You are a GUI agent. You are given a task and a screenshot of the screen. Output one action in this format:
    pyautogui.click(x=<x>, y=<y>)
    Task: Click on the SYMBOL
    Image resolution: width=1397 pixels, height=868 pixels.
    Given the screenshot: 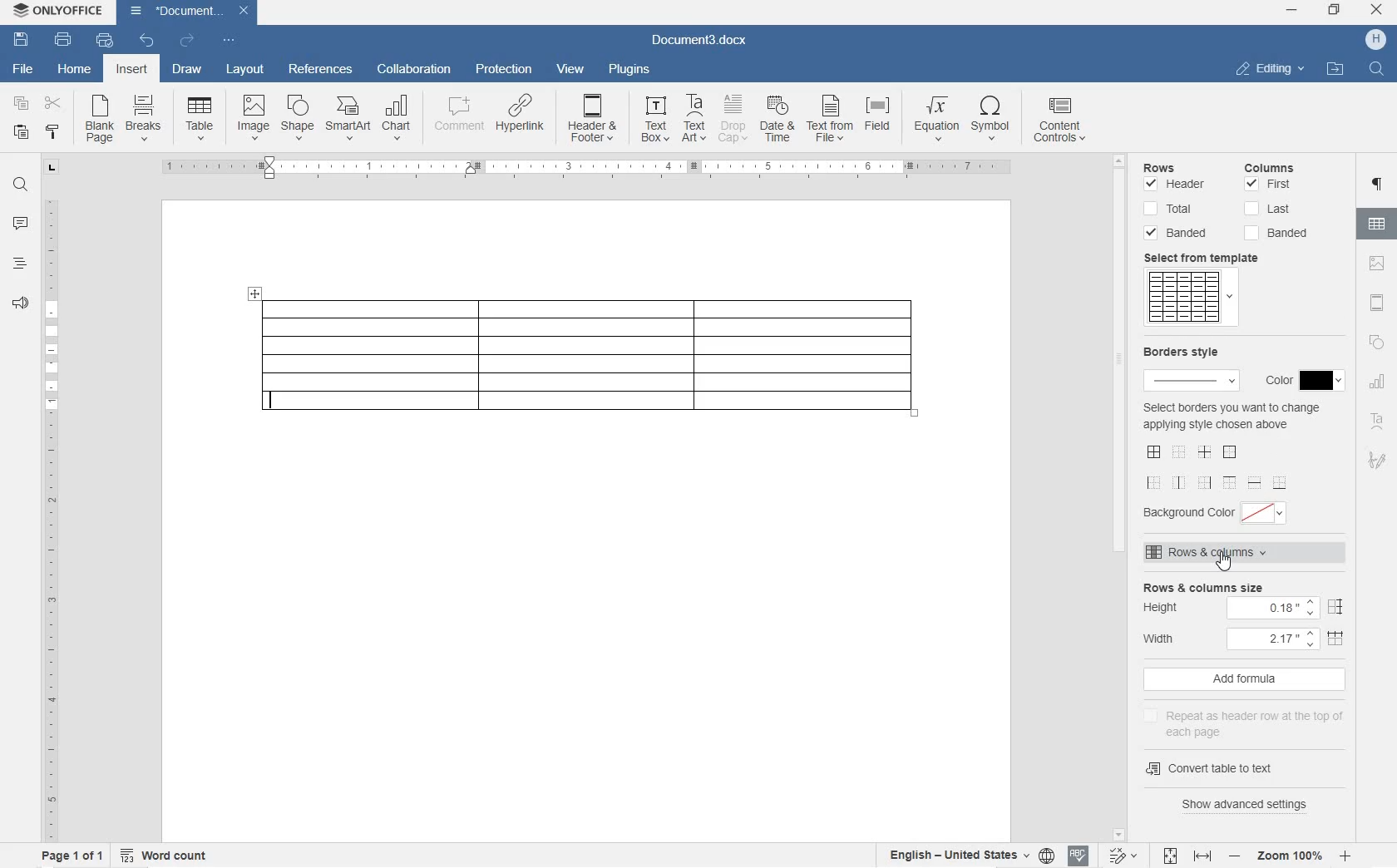 What is the action you would take?
    pyautogui.click(x=990, y=121)
    